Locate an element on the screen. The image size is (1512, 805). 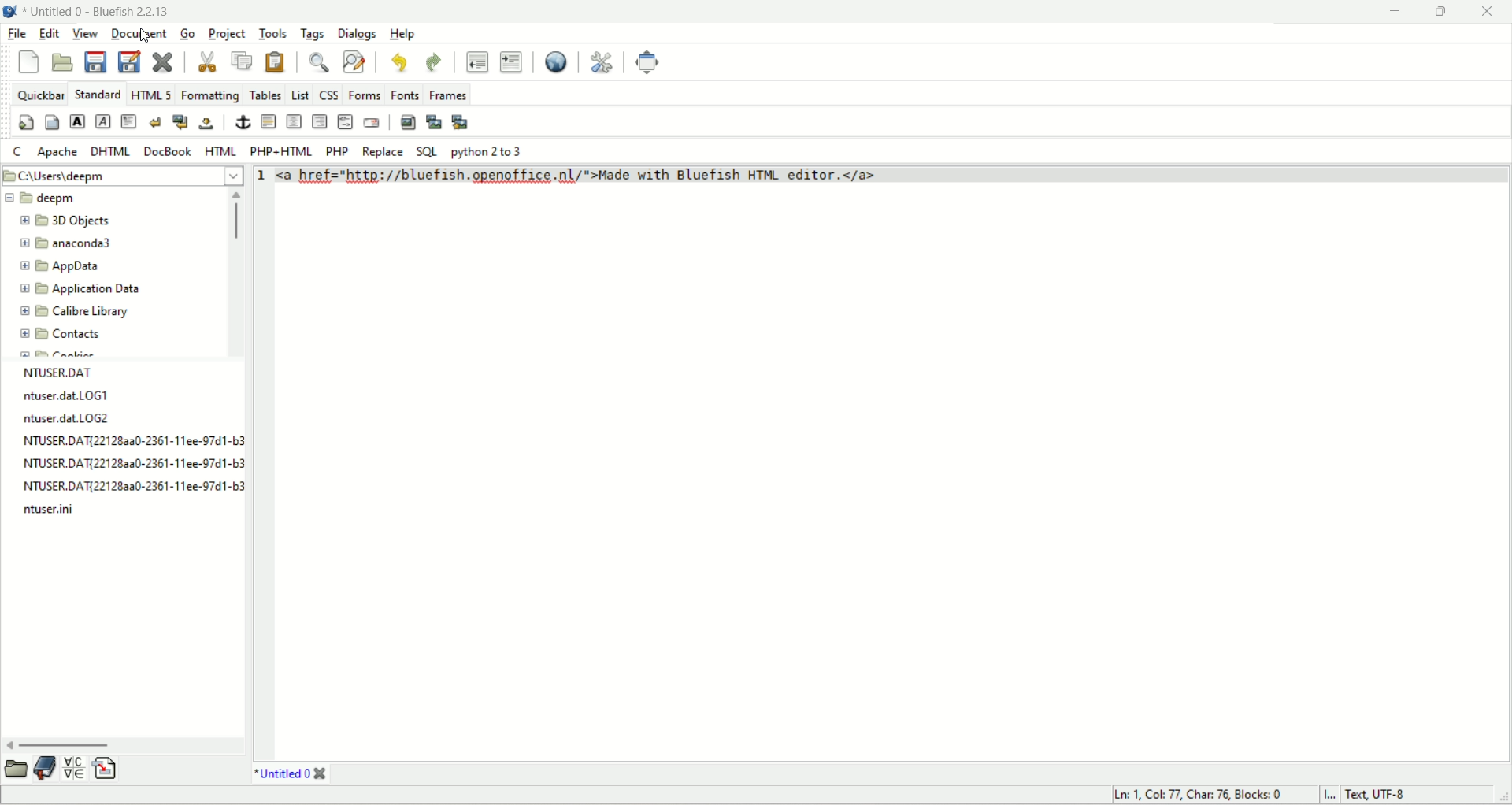
go is located at coordinates (186, 33).